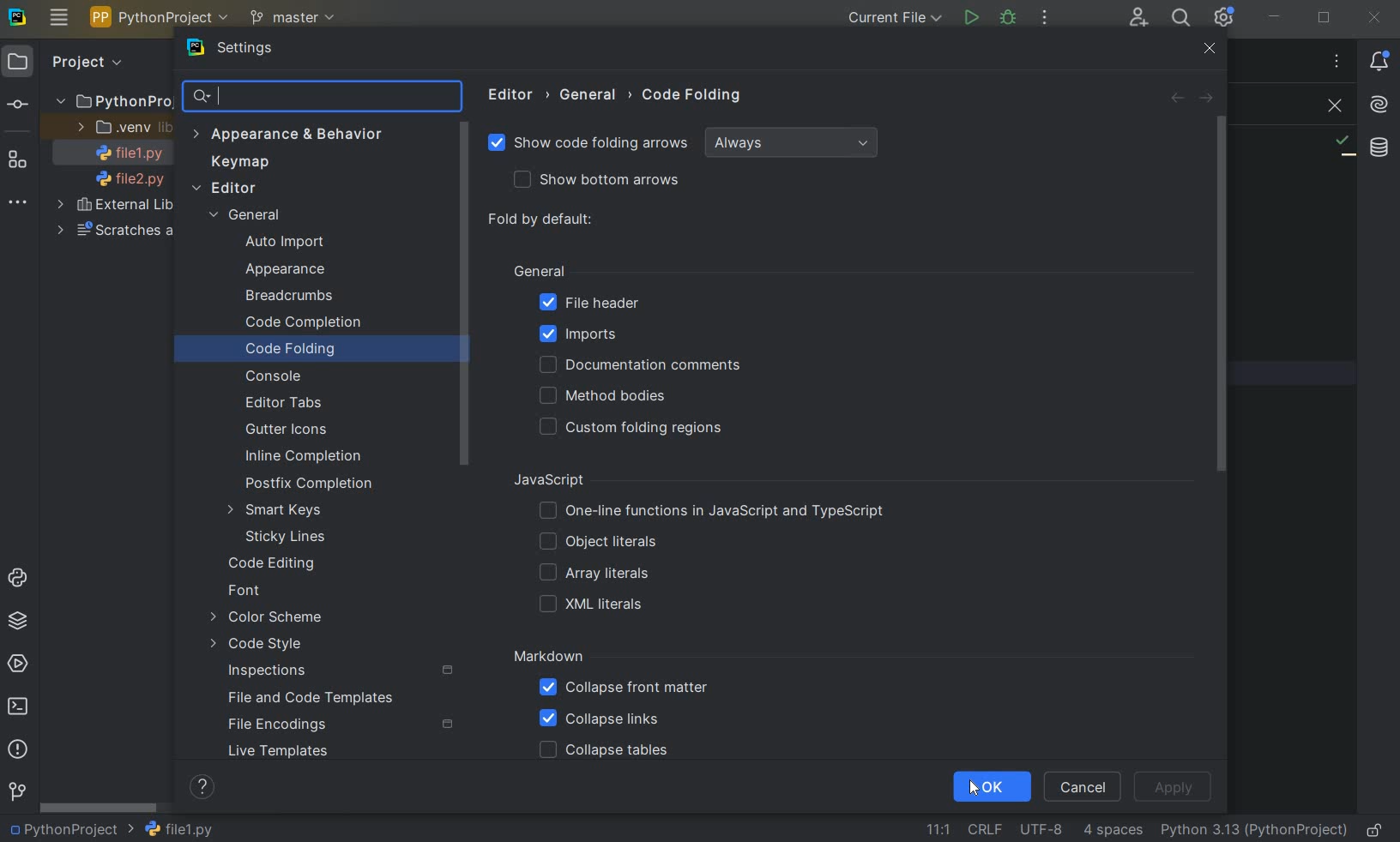  Describe the element at coordinates (306, 485) in the screenshot. I see `POSTFIX COMPLETION` at that location.